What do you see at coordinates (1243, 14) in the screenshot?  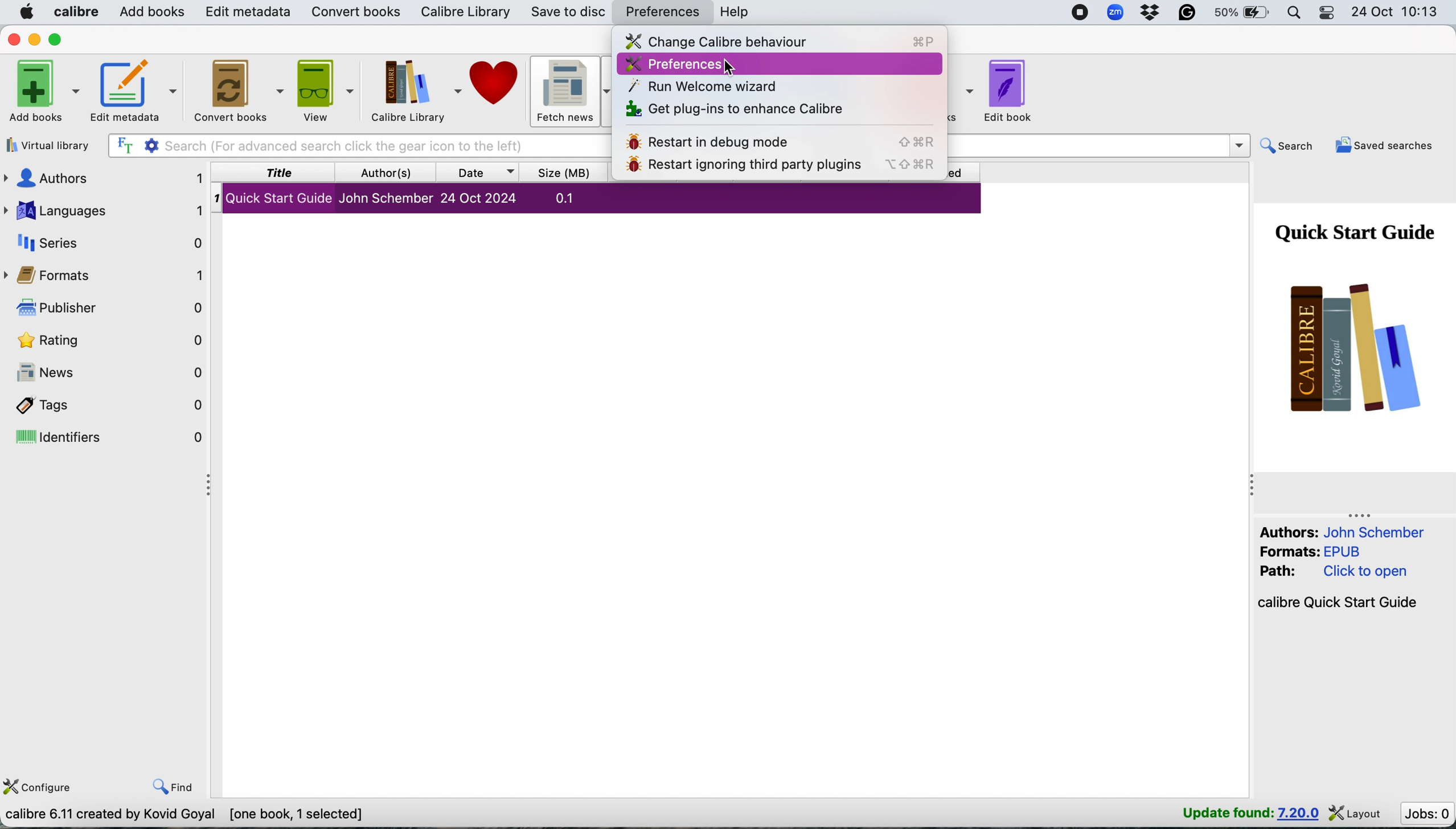 I see `battery` at bounding box center [1243, 14].